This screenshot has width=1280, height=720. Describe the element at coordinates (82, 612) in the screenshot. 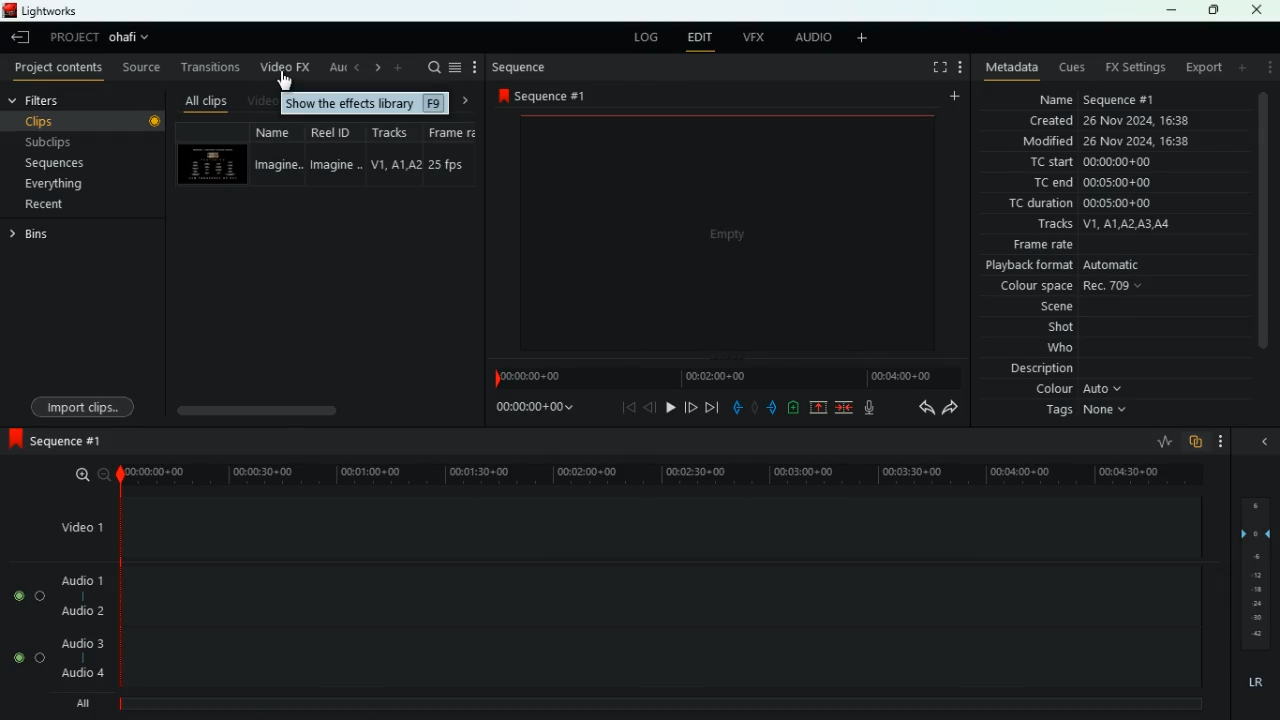

I see `audio 2` at that location.